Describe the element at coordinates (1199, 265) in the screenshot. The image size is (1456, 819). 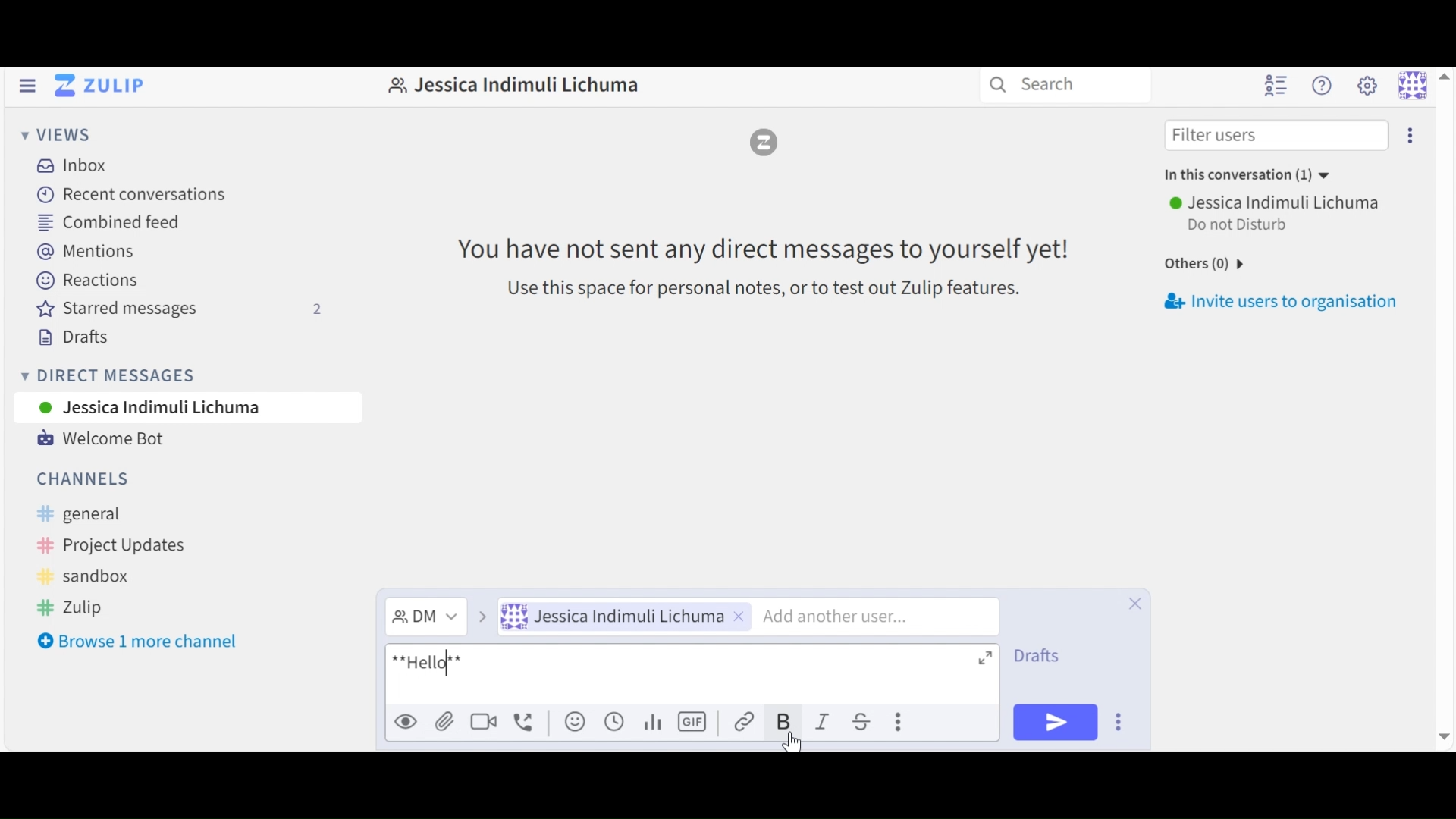
I see `others (0)` at that location.